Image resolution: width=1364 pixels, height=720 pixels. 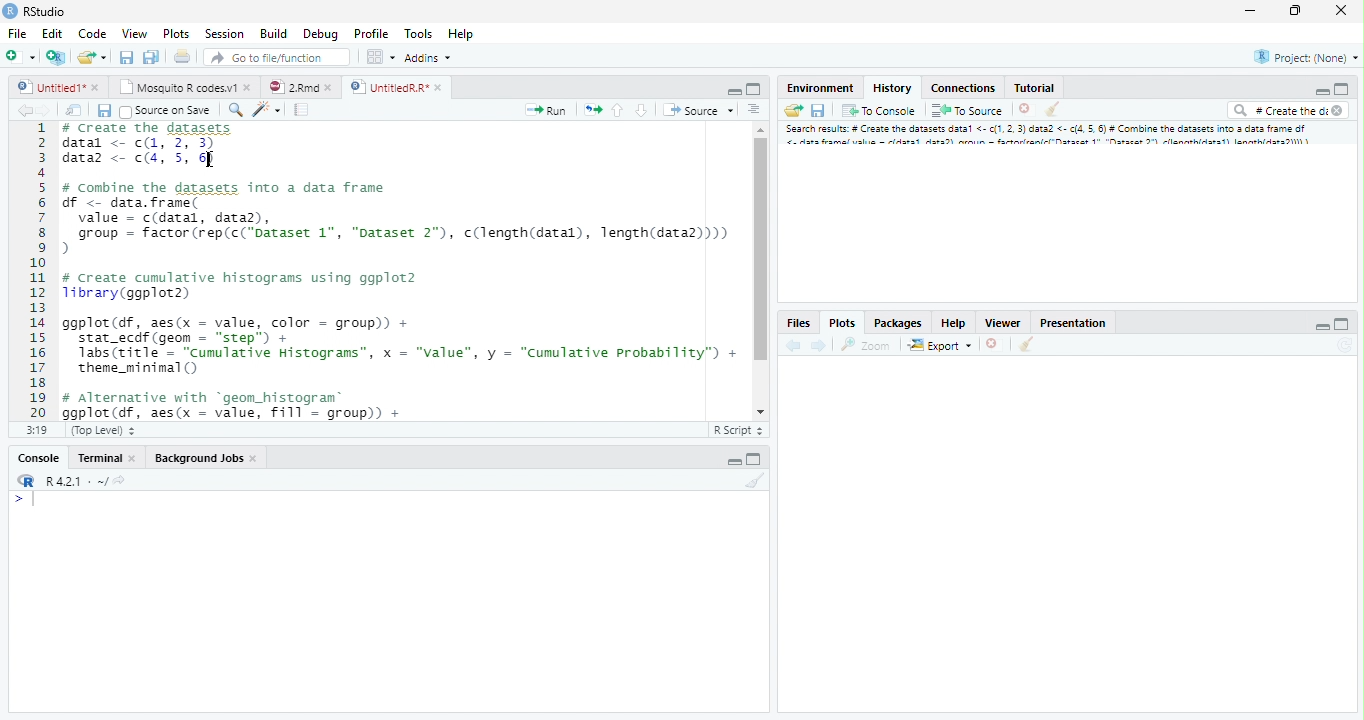 I want to click on Terminal, so click(x=107, y=457).